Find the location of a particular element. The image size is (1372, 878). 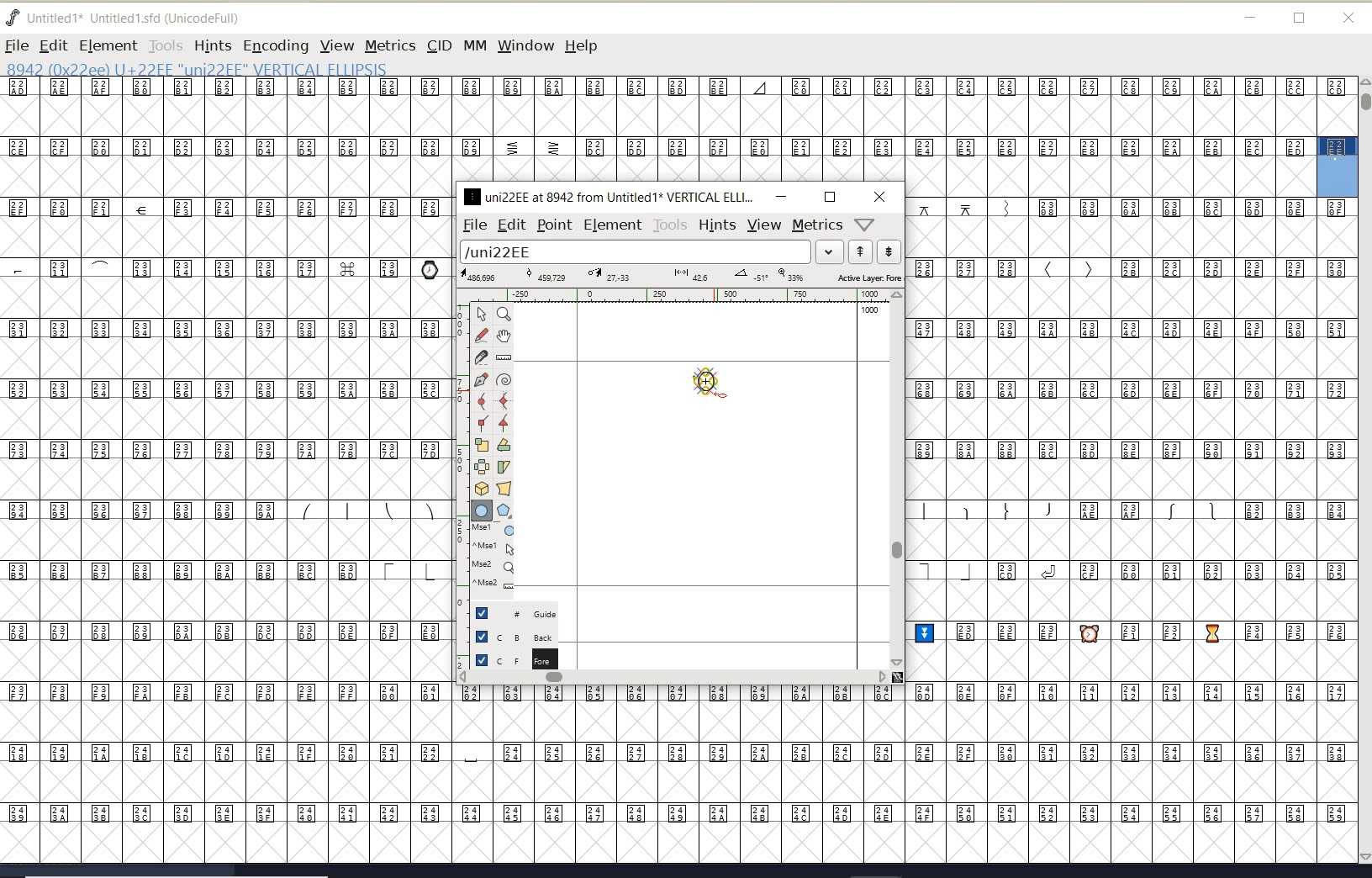

help is located at coordinates (584, 47).